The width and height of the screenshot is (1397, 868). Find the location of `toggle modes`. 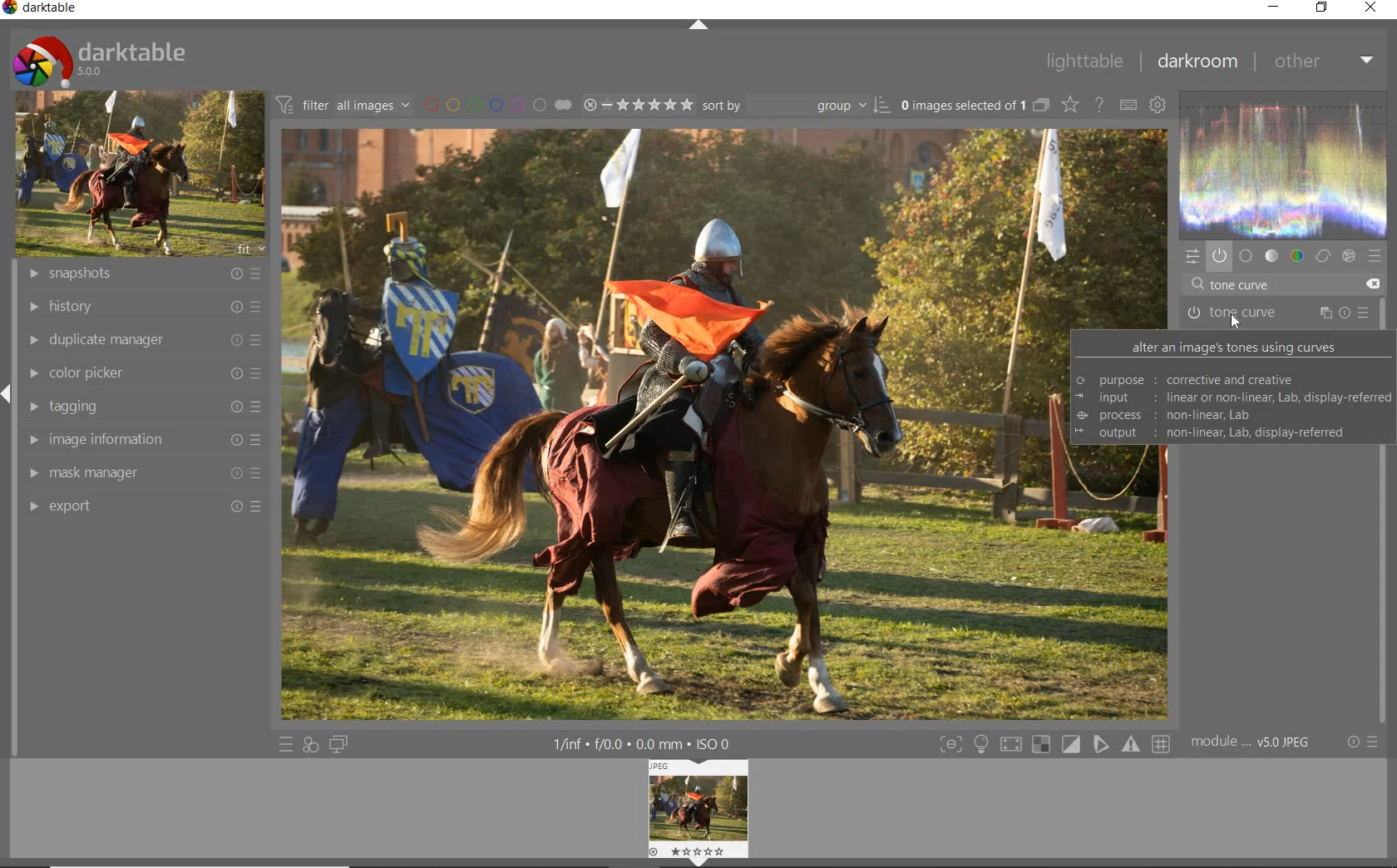

toggle modes is located at coordinates (1051, 744).